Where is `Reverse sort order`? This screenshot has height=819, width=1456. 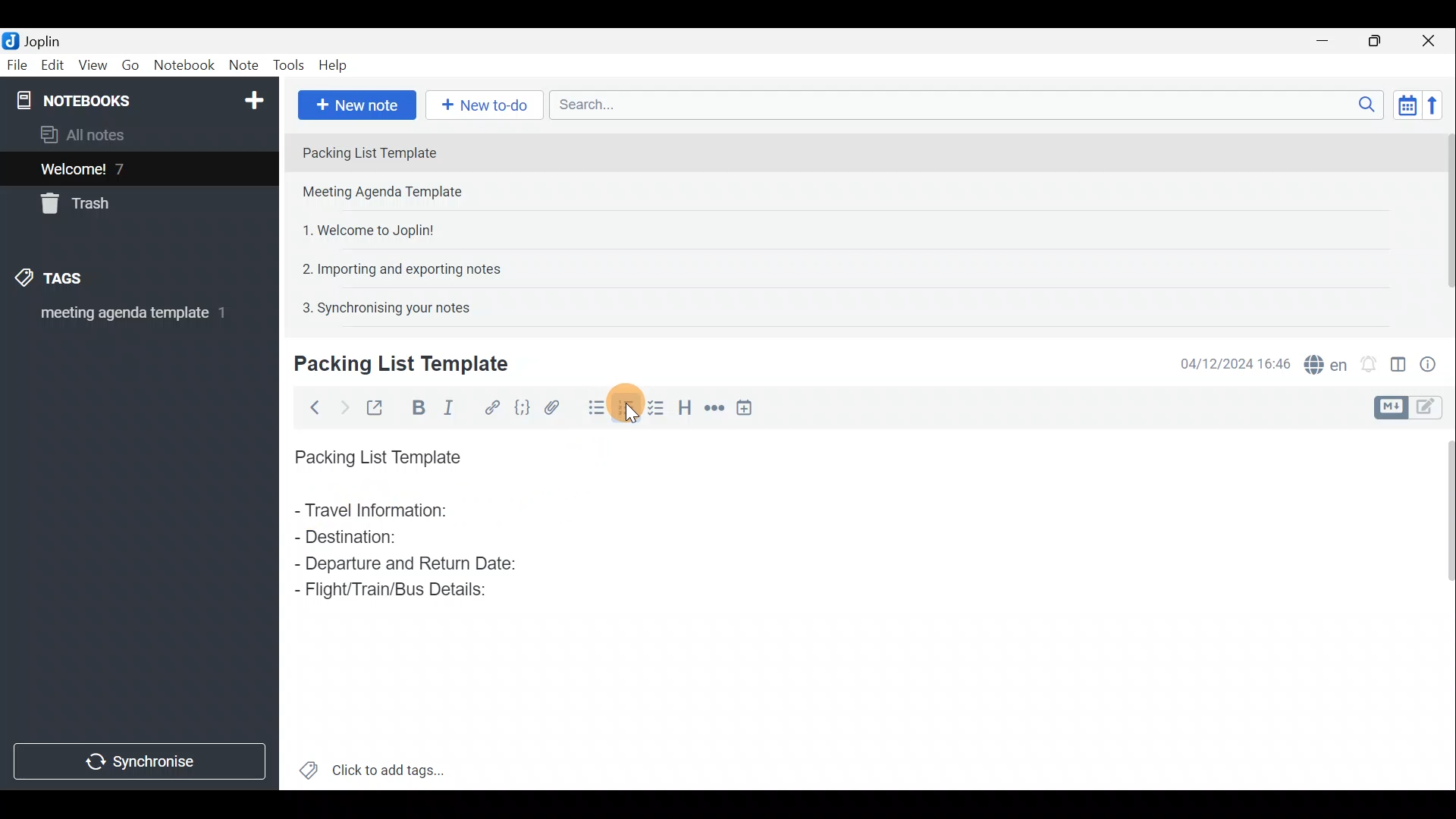 Reverse sort order is located at coordinates (1438, 104).